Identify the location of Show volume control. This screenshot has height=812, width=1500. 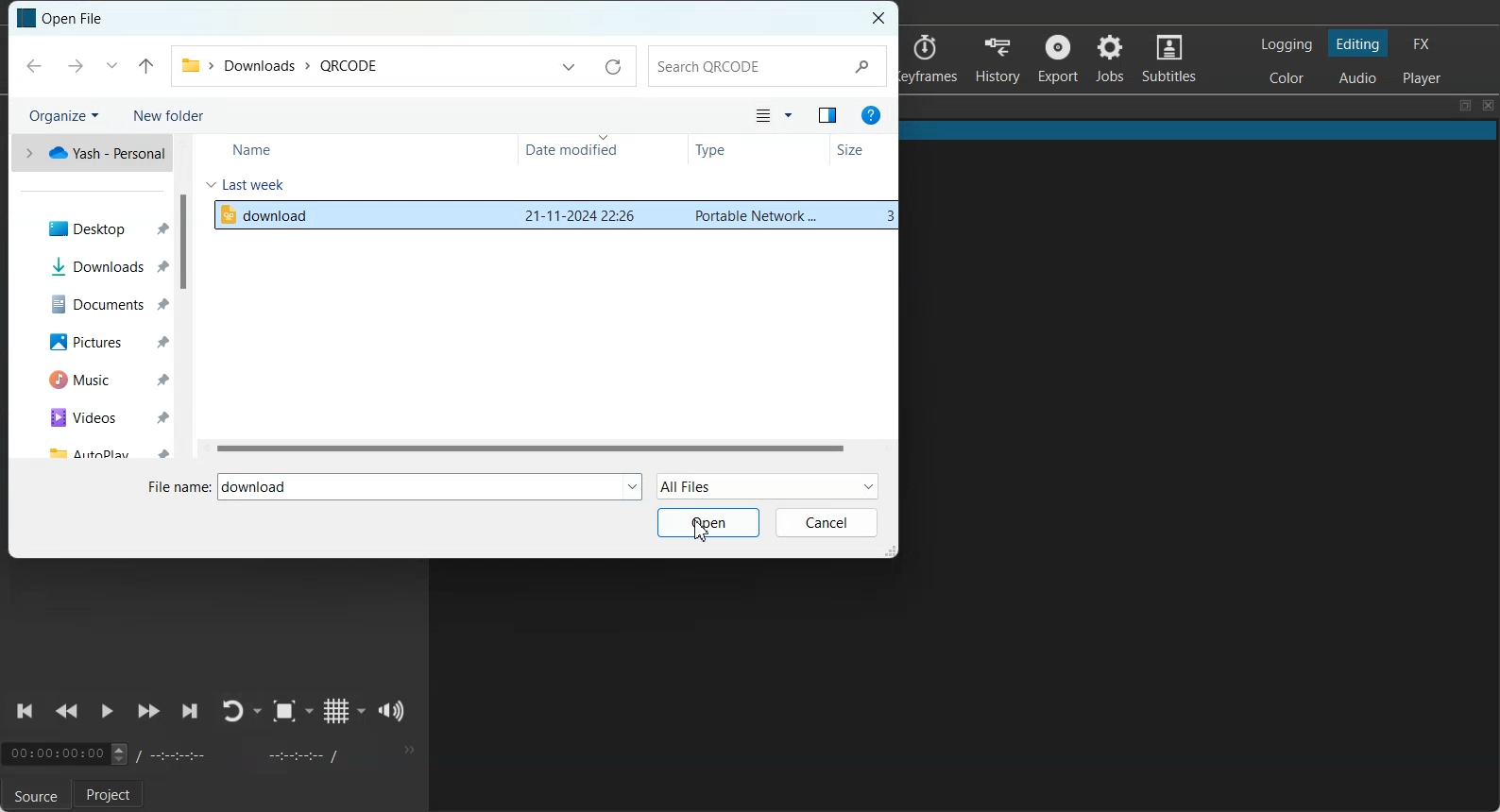
(392, 711).